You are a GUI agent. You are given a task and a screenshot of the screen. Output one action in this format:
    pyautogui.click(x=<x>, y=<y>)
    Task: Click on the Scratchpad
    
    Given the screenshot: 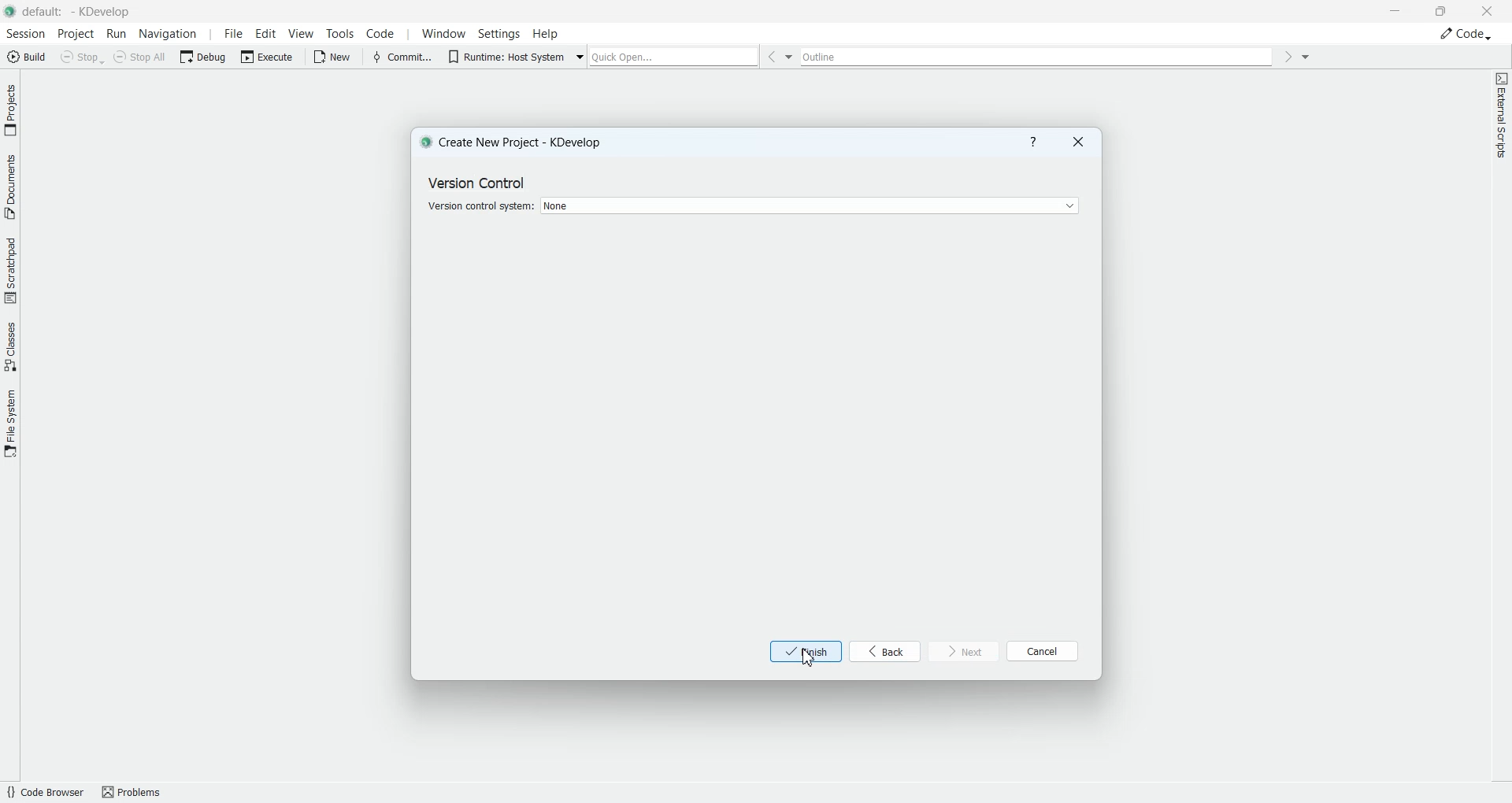 What is the action you would take?
    pyautogui.click(x=10, y=269)
    